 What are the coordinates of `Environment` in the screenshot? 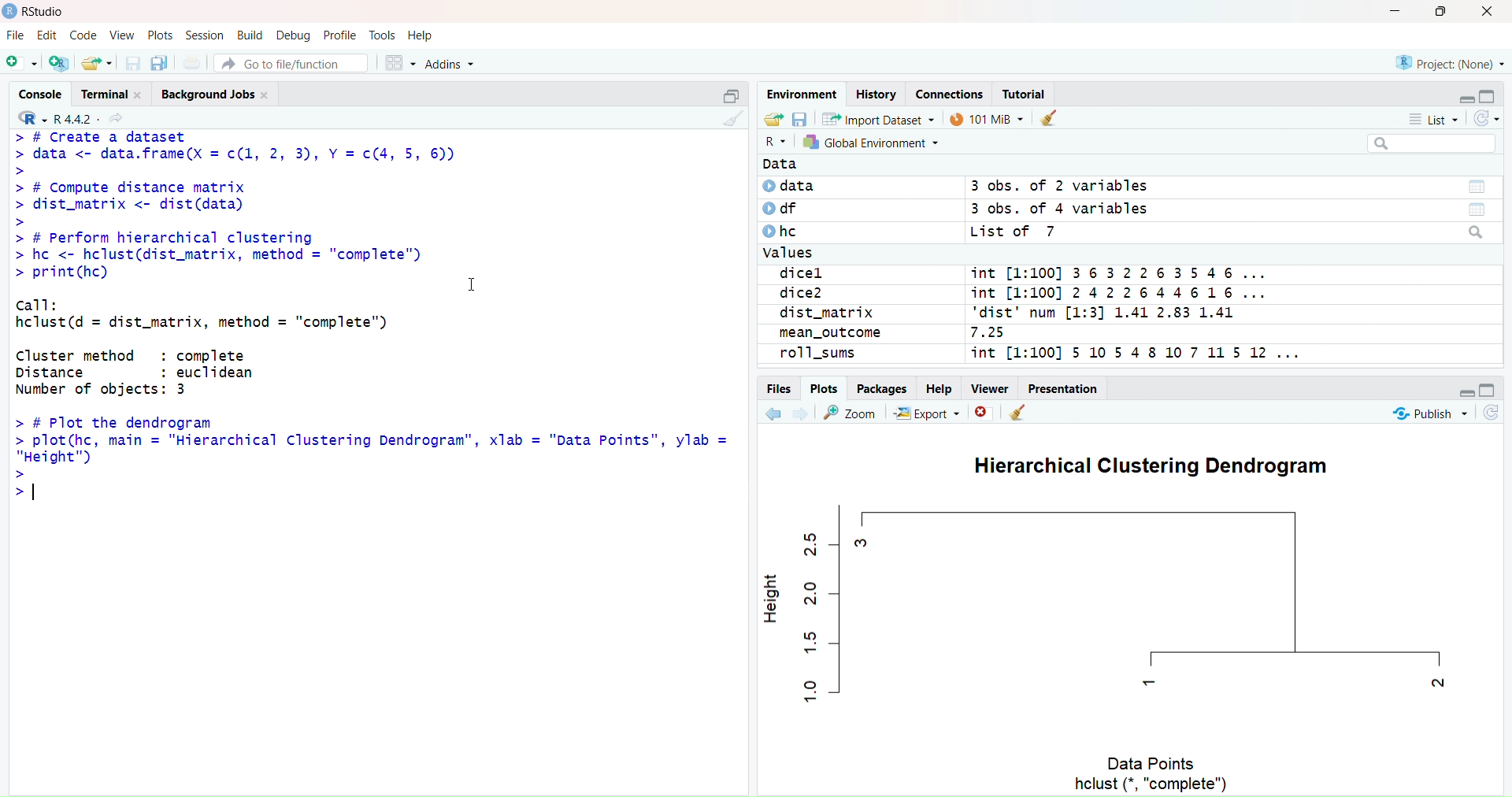 It's located at (802, 94).